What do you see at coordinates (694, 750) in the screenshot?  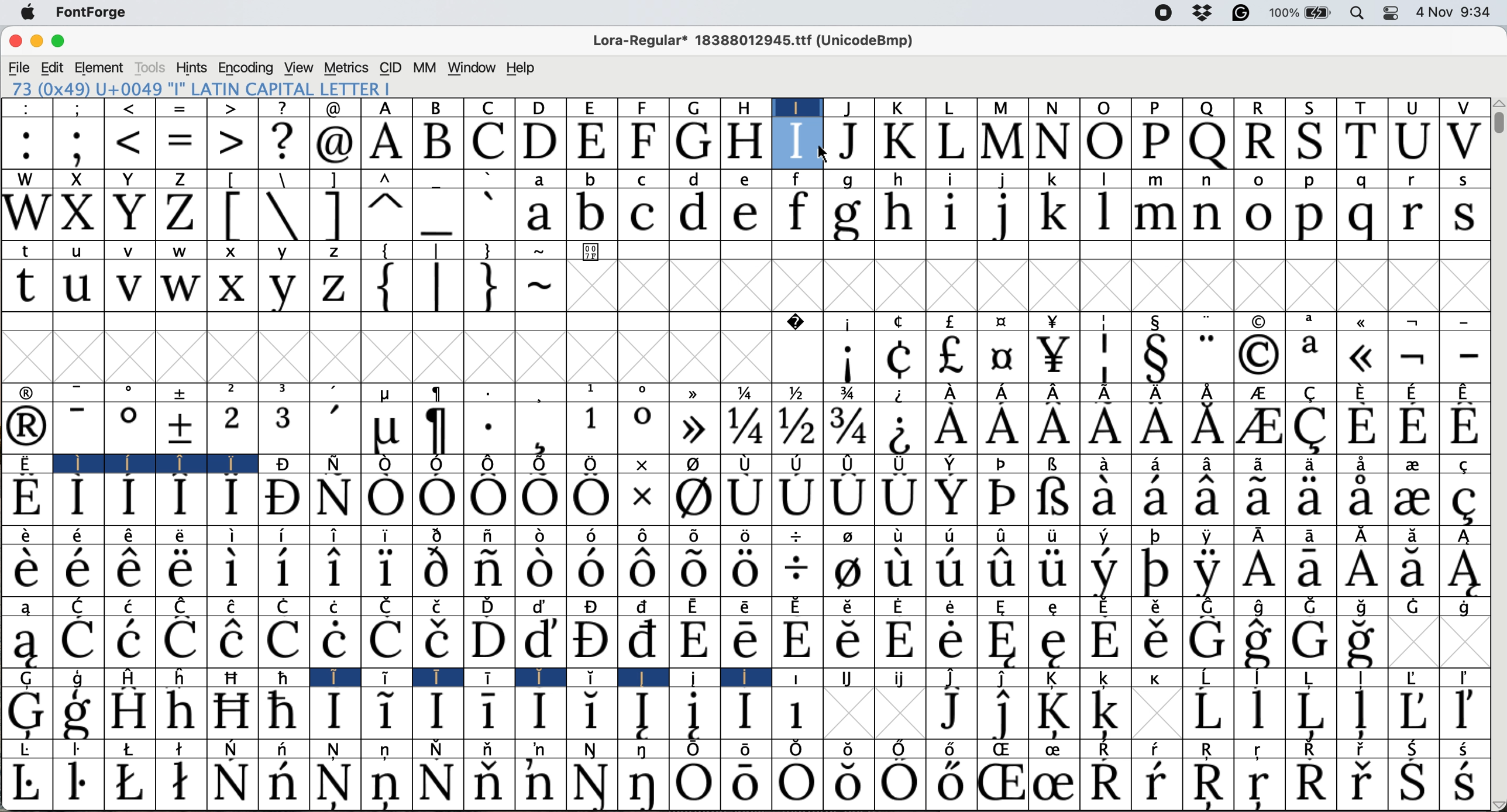 I see `Symbol` at bounding box center [694, 750].